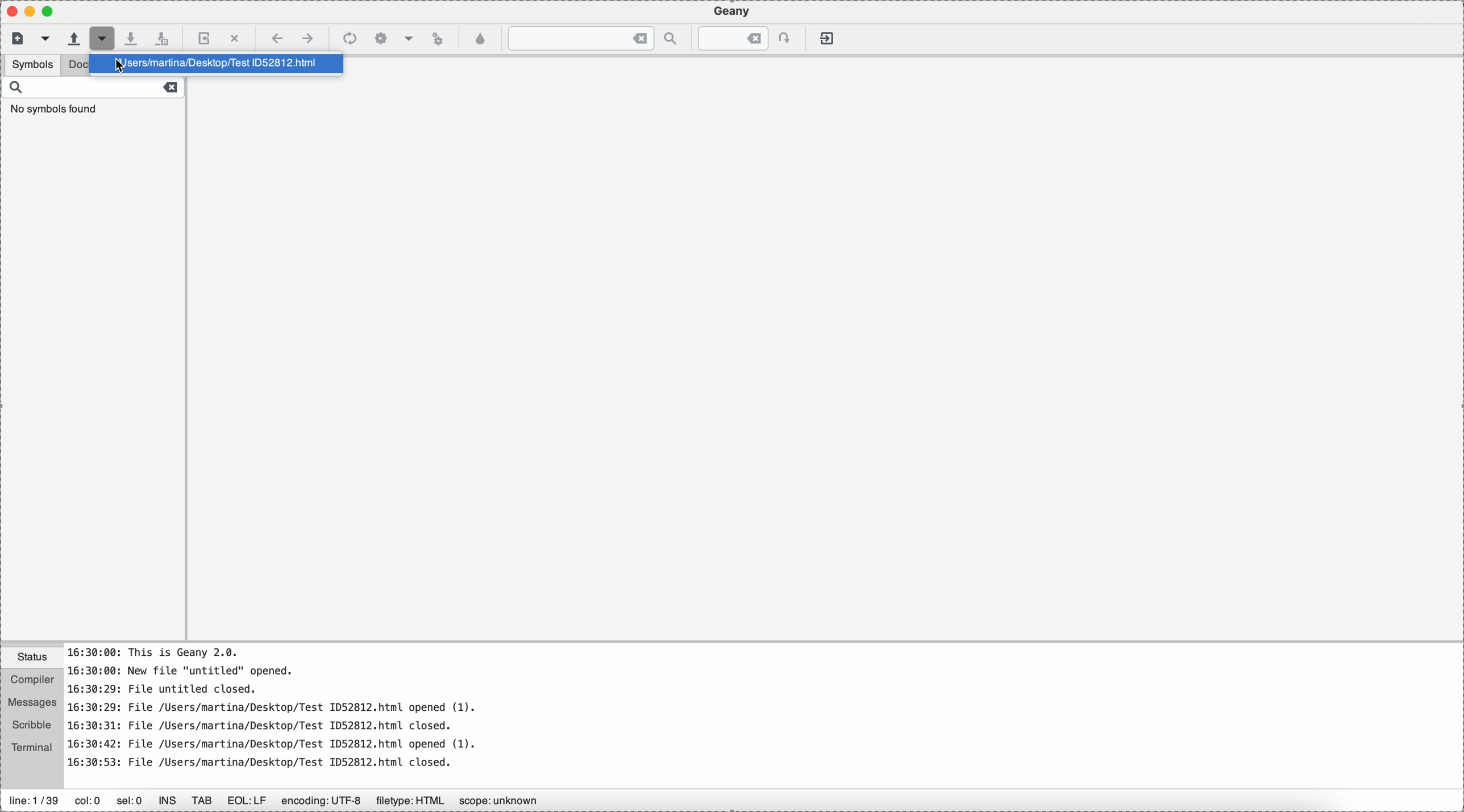 The height and width of the screenshot is (812, 1464). Describe the element at coordinates (93, 380) in the screenshot. I see `sidebar` at that location.